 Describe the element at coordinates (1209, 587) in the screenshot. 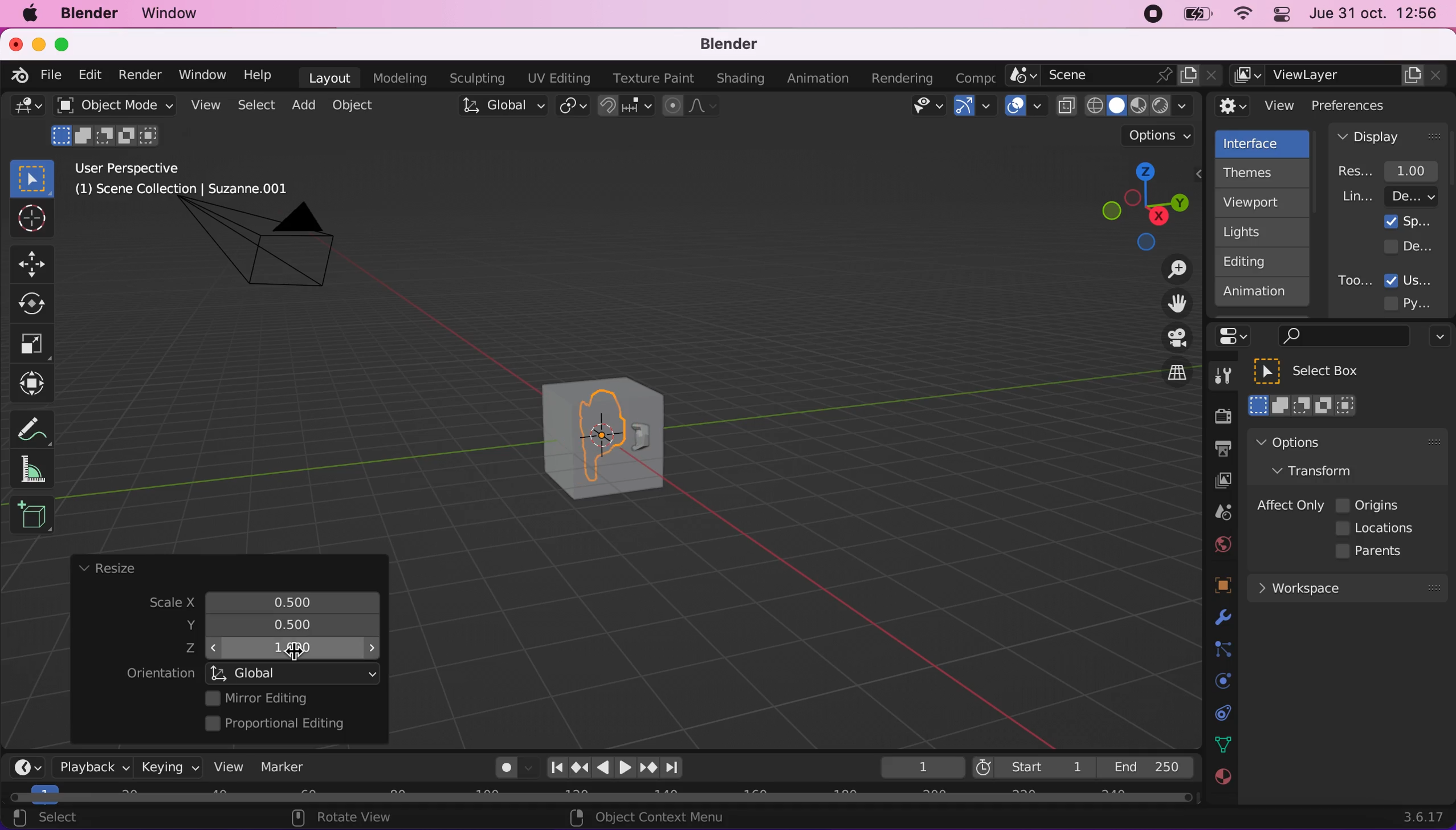

I see `objects` at that location.